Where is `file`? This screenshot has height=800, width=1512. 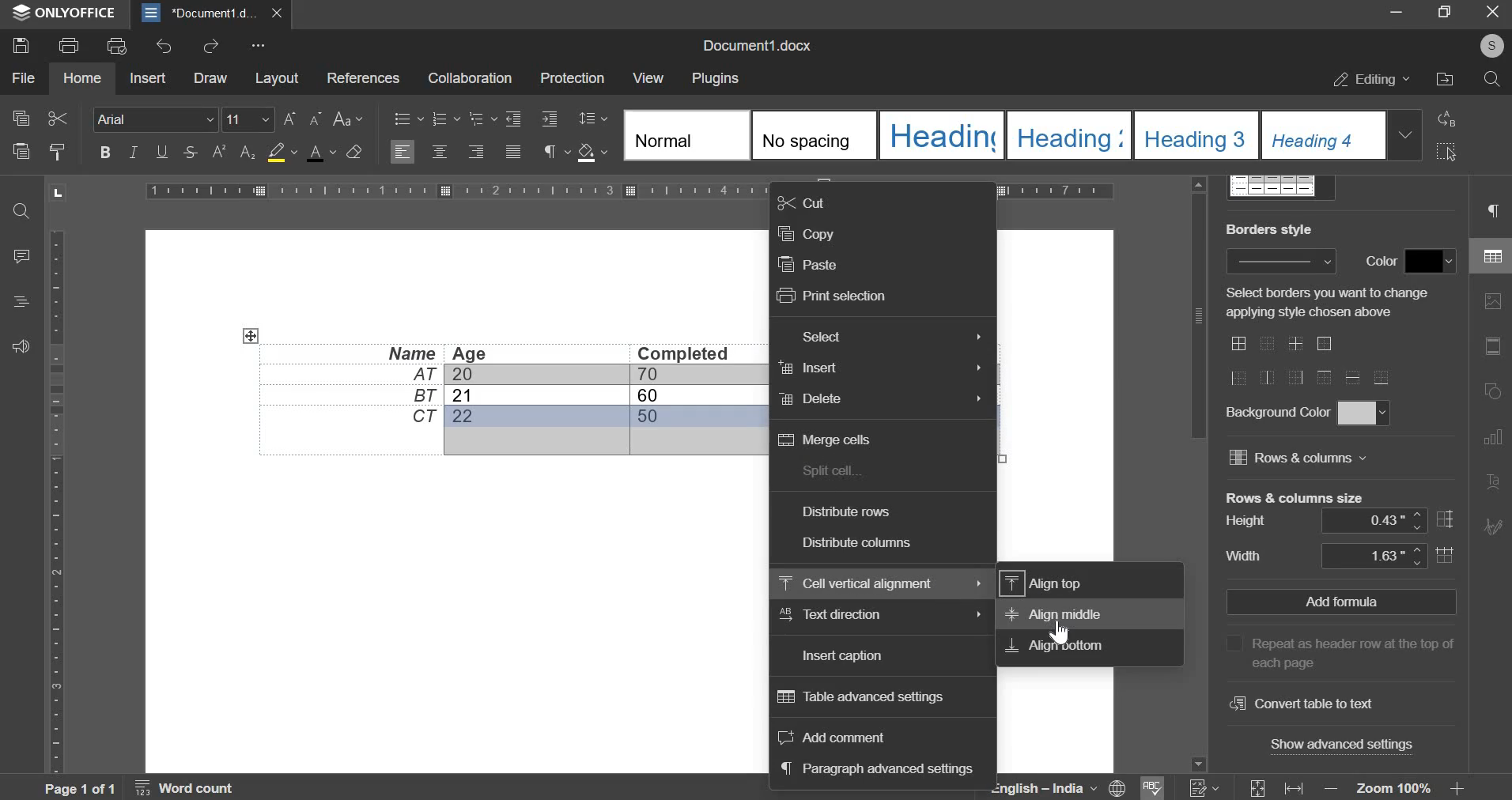 file is located at coordinates (22, 77).